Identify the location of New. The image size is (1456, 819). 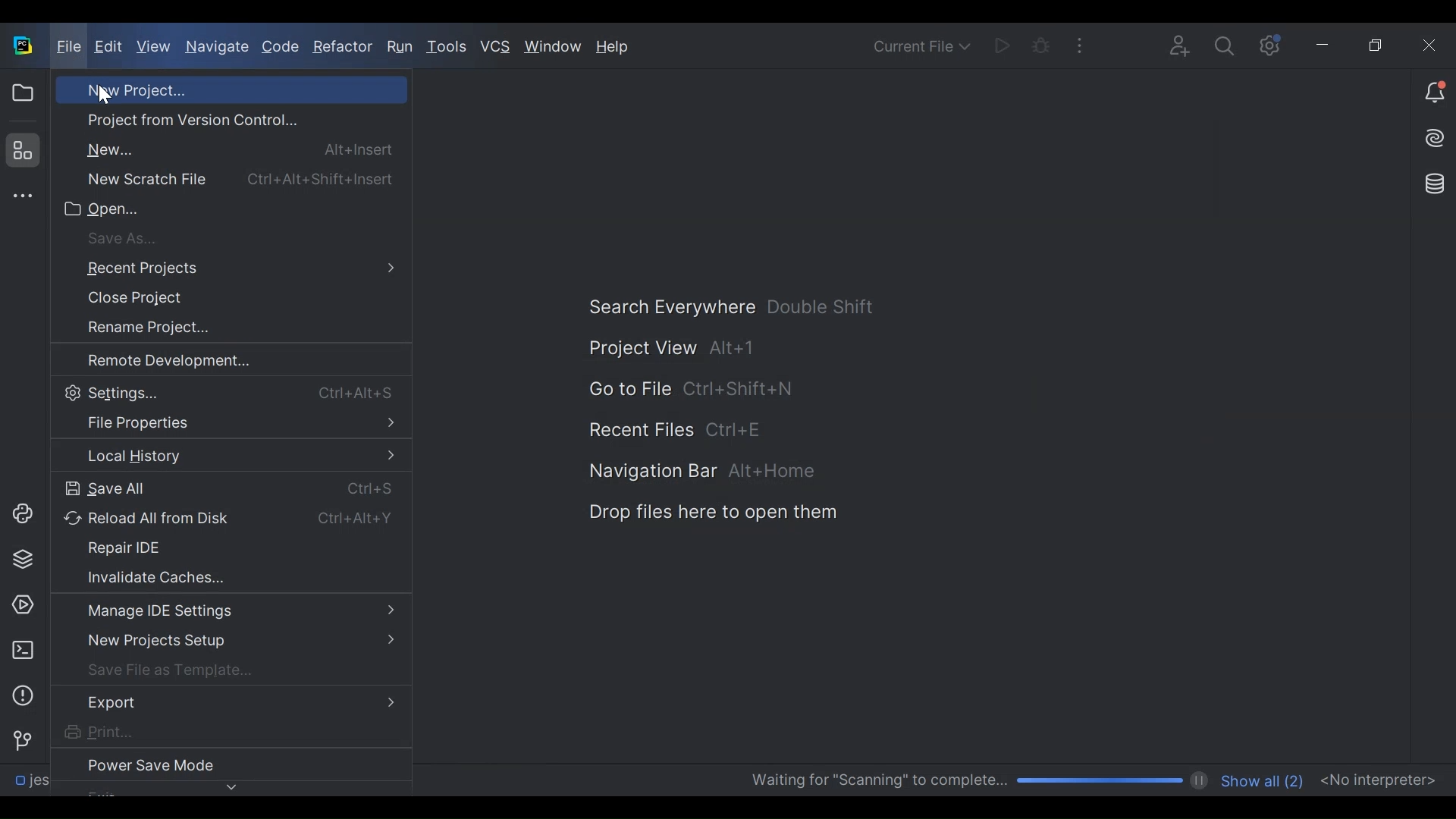
(231, 149).